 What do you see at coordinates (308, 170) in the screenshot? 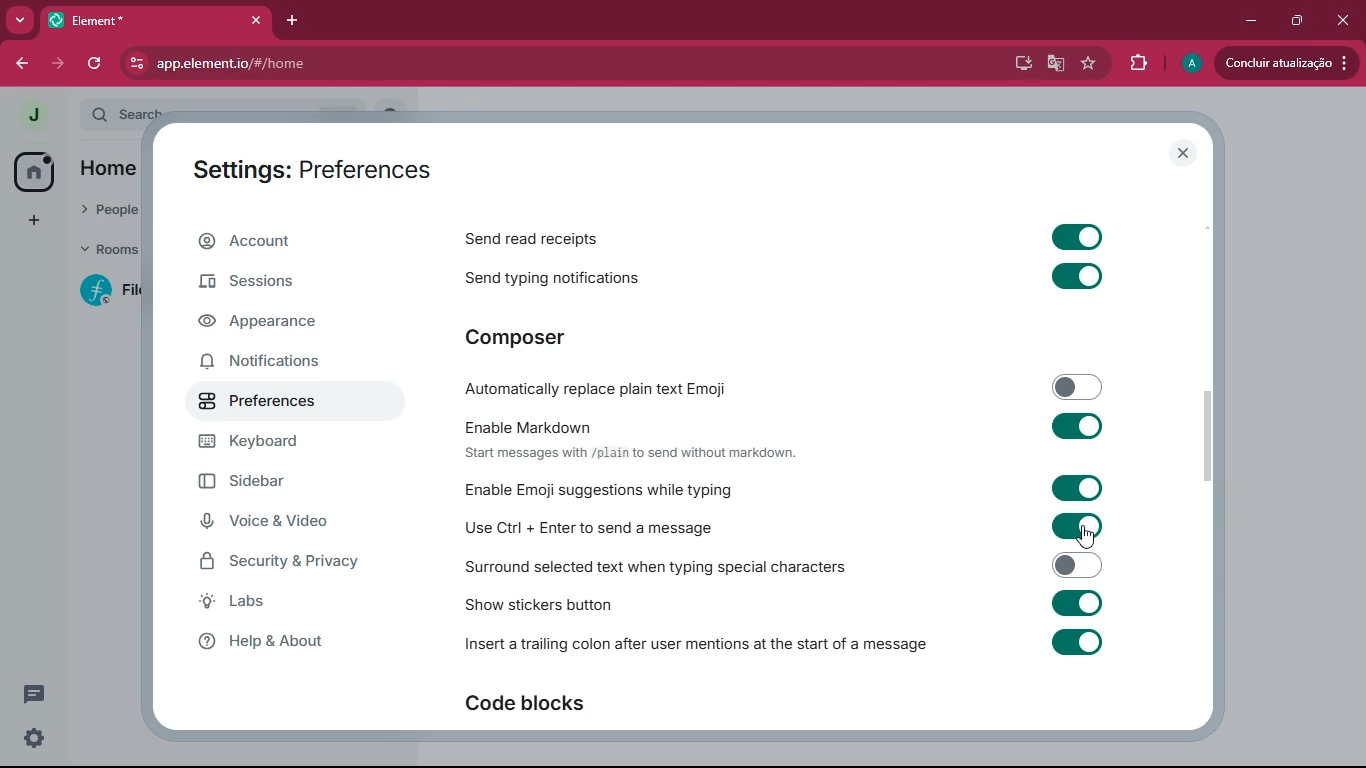
I see `Settings: Preferences` at bounding box center [308, 170].